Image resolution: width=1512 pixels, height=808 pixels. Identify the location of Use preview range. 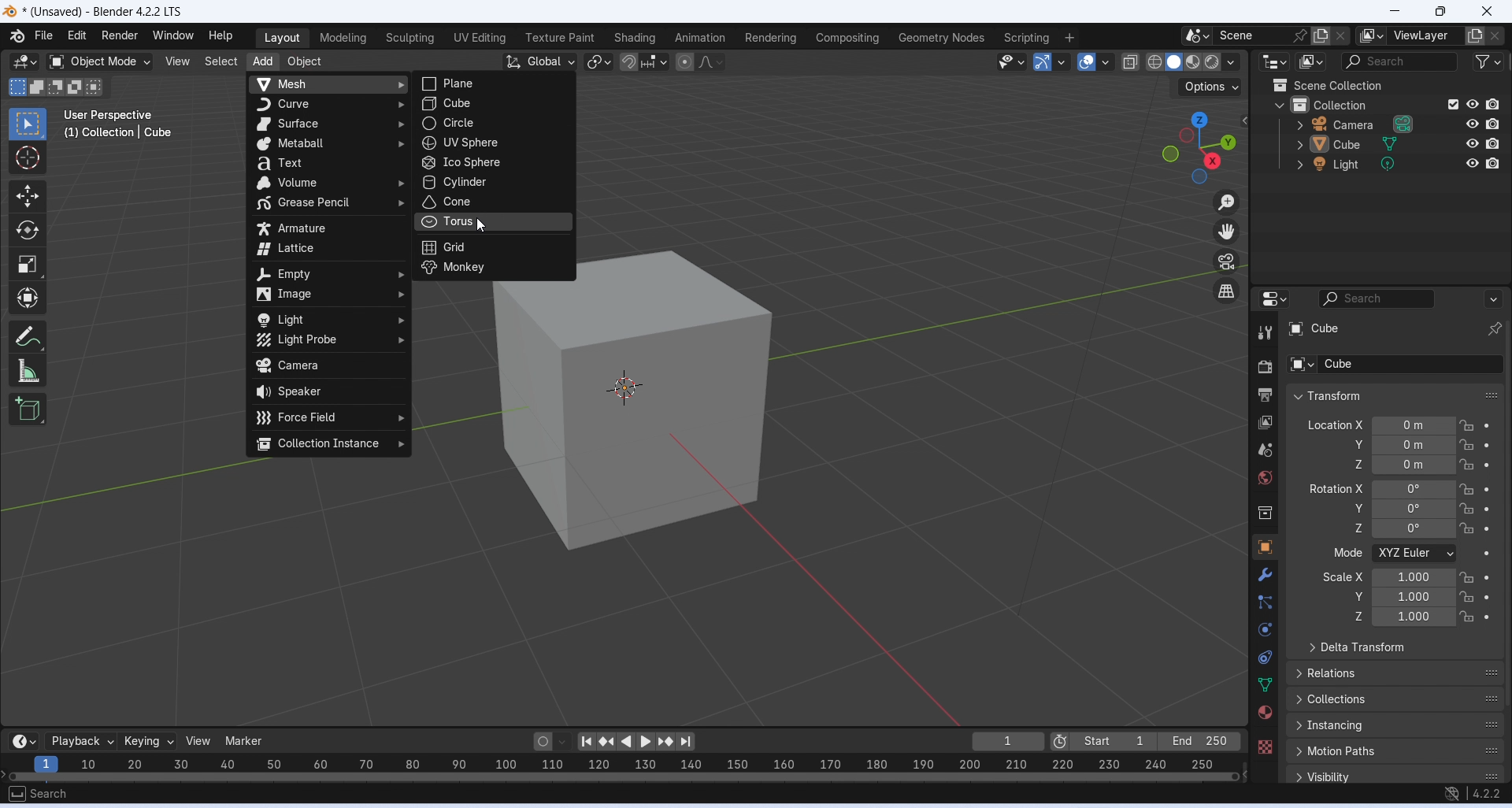
(1061, 740).